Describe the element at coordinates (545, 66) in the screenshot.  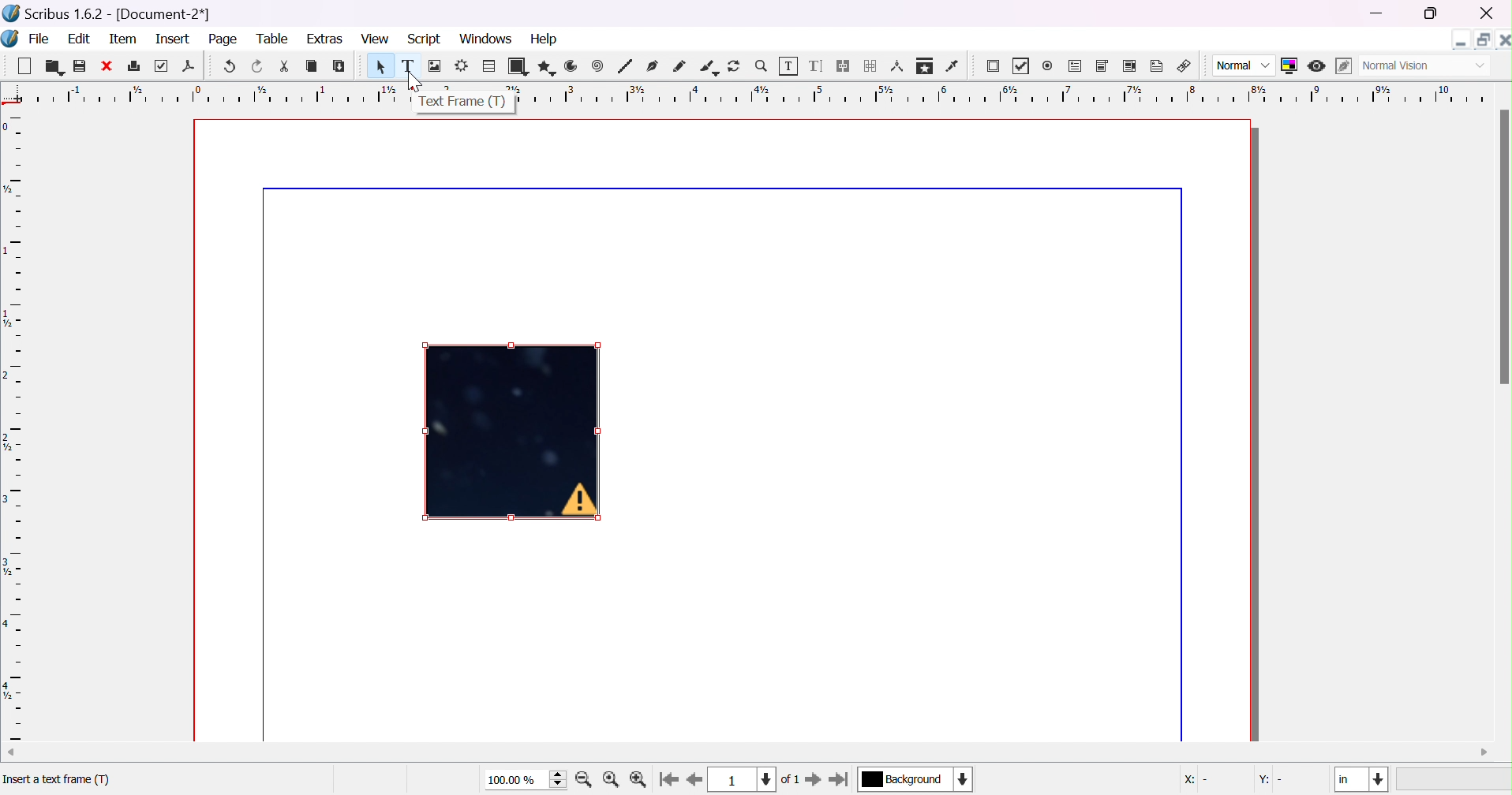
I see `polygon` at that location.